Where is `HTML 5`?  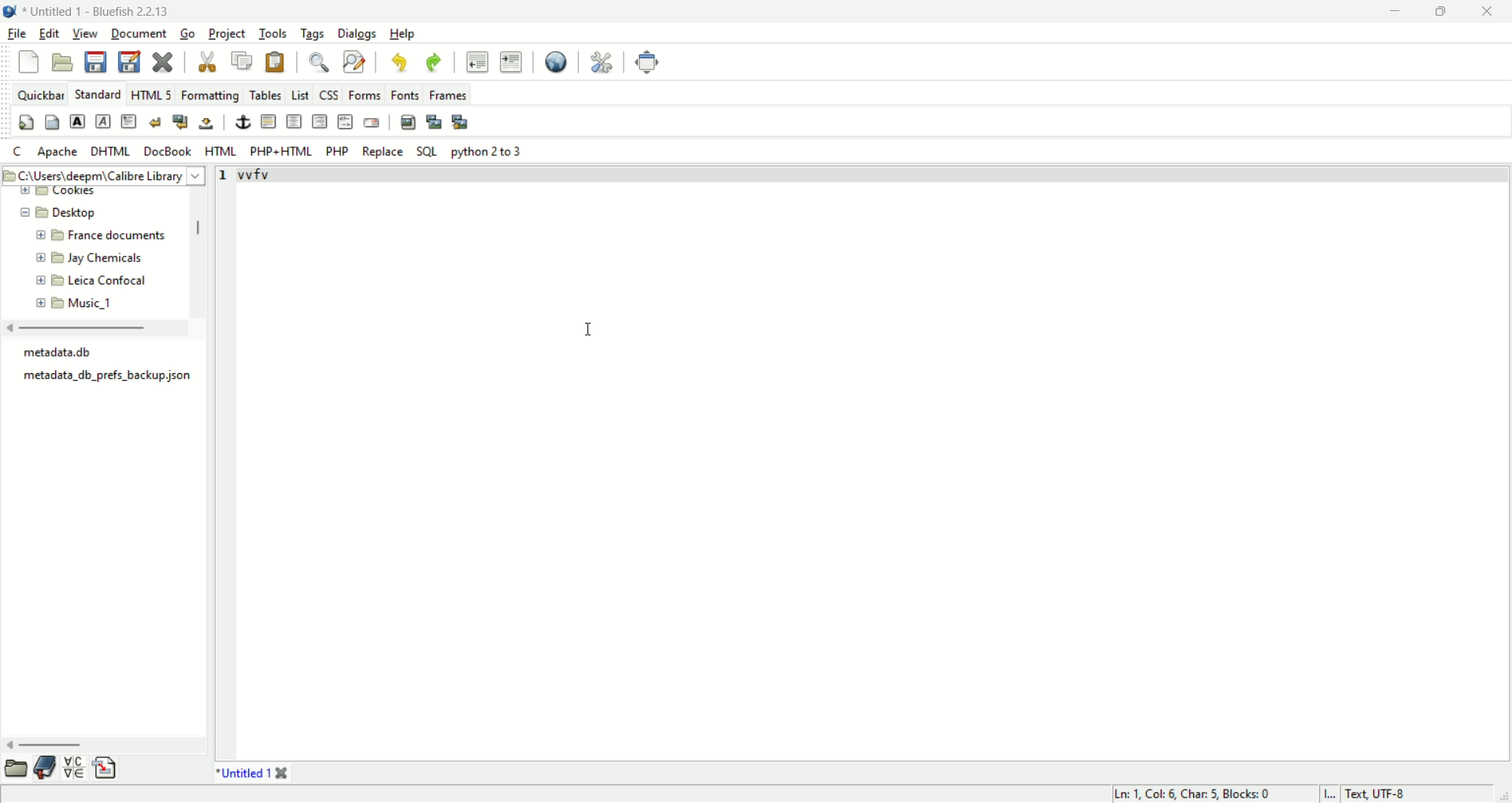
HTML 5 is located at coordinates (150, 93).